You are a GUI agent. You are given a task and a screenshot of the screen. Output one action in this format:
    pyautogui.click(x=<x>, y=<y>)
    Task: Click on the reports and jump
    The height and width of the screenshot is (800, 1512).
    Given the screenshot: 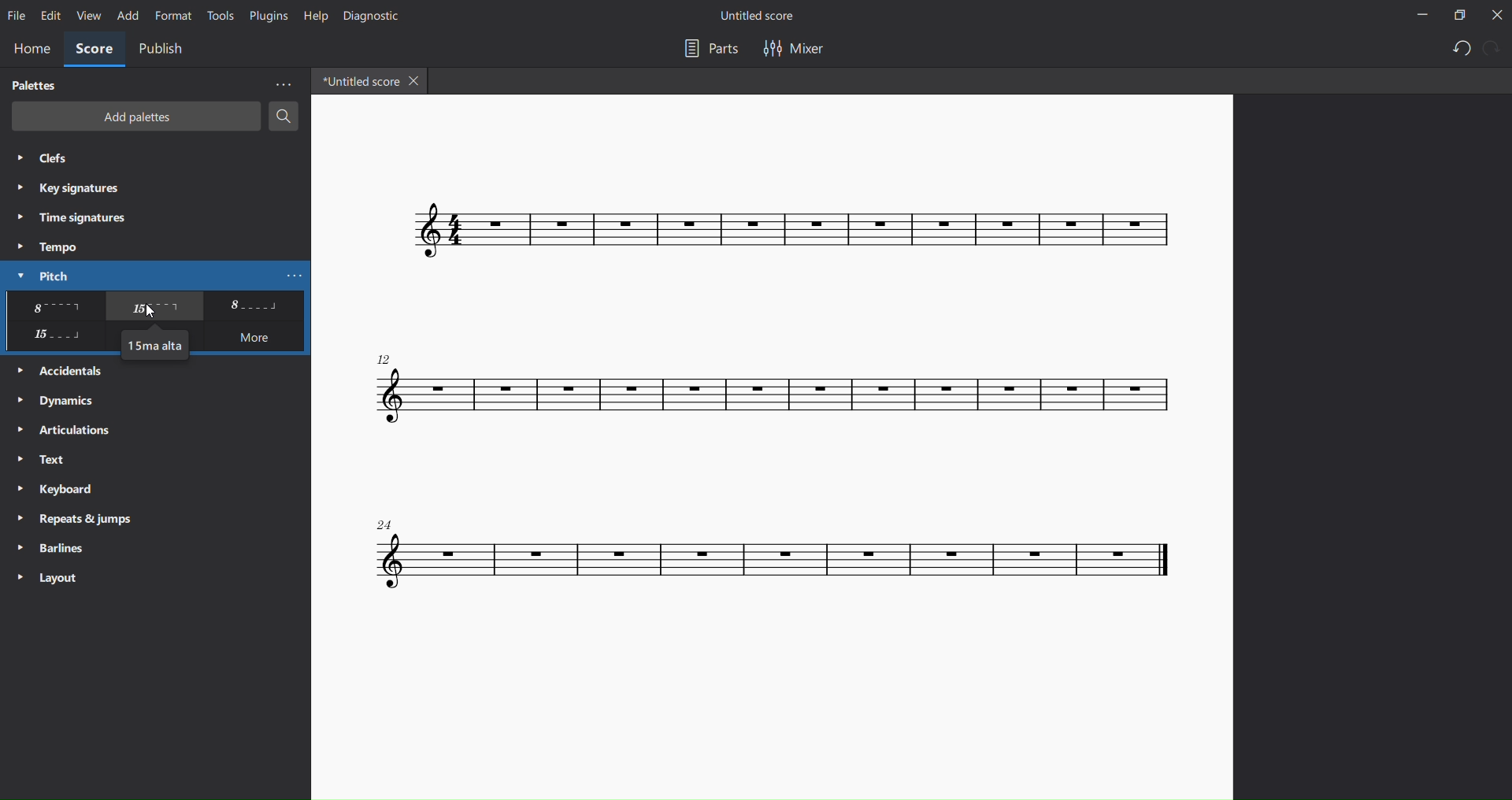 What is the action you would take?
    pyautogui.click(x=79, y=517)
    